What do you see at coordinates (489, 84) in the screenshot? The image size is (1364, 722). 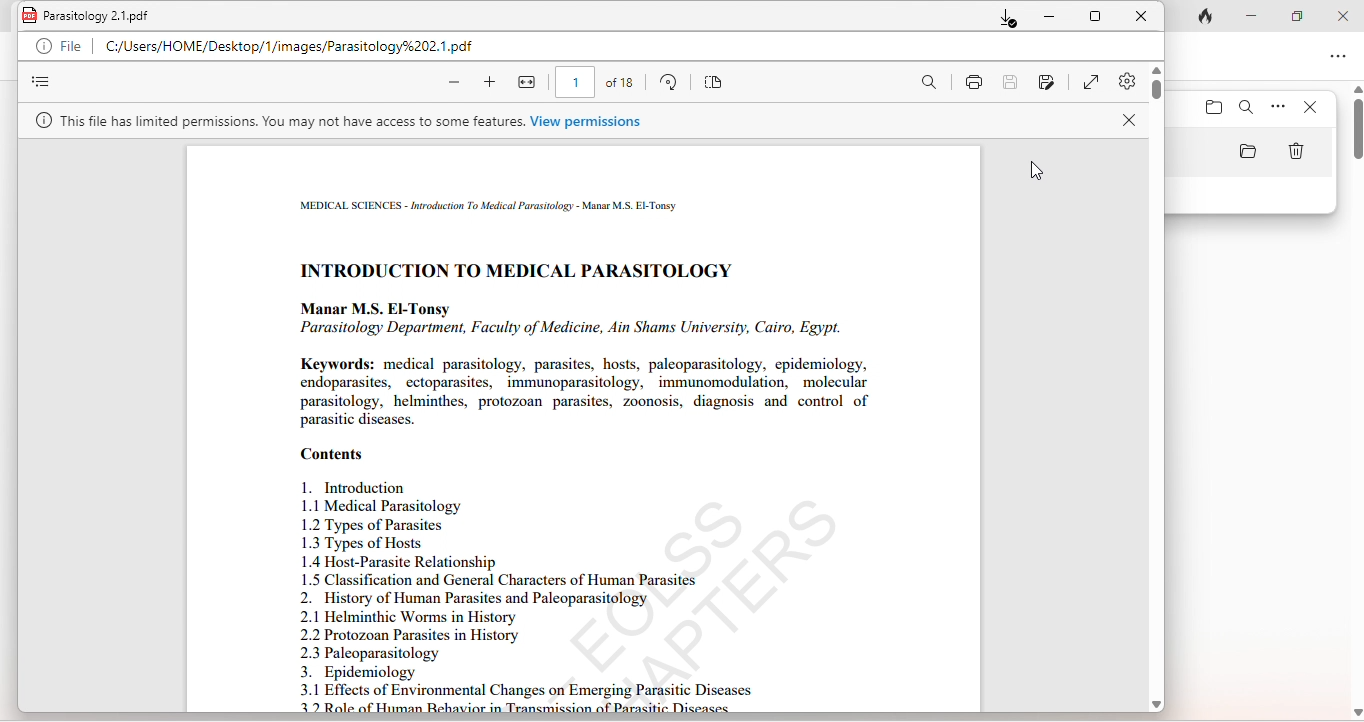 I see `zoom in` at bounding box center [489, 84].